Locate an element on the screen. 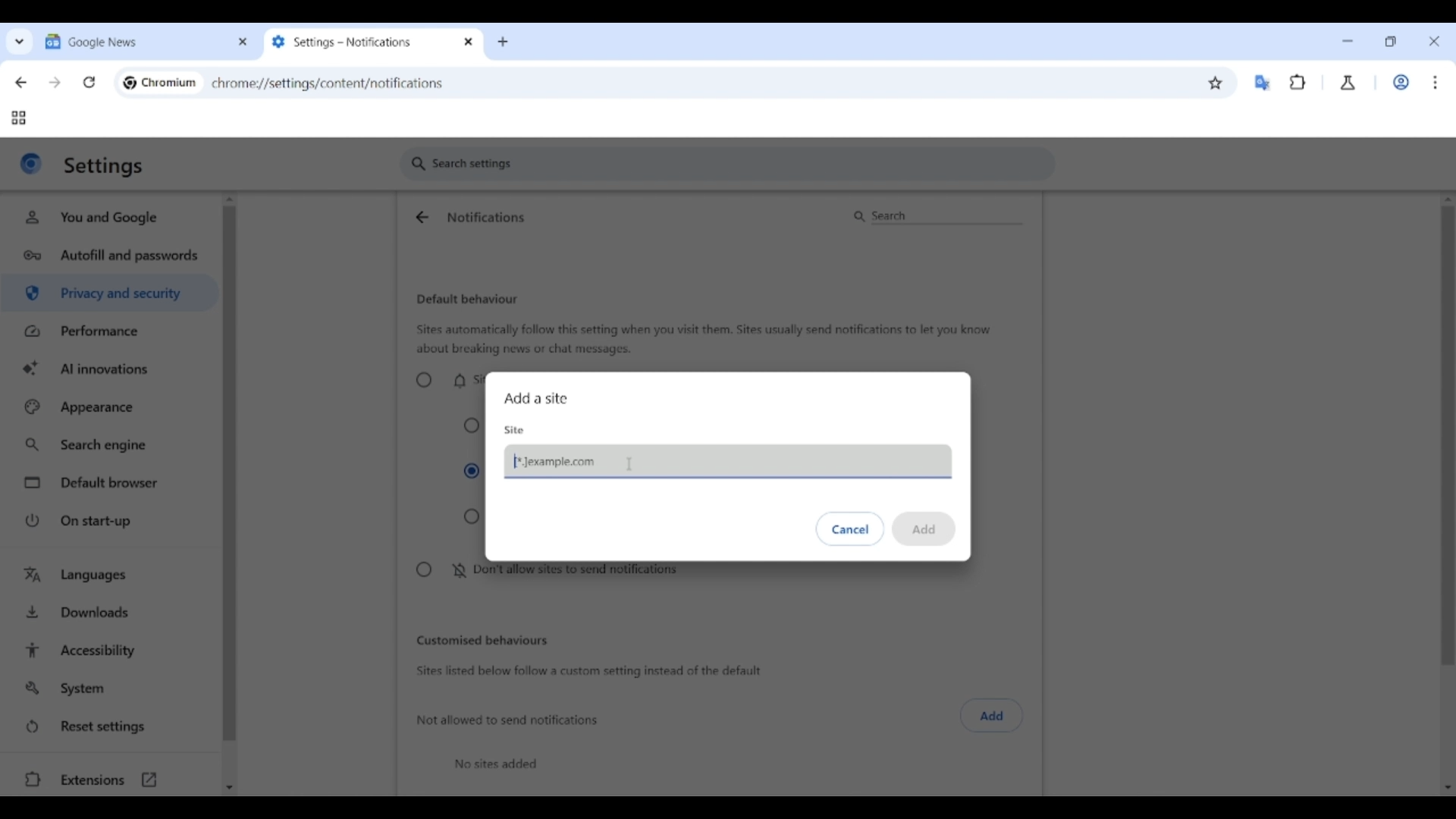  Logo of current site is located at coordinates (31, 163).